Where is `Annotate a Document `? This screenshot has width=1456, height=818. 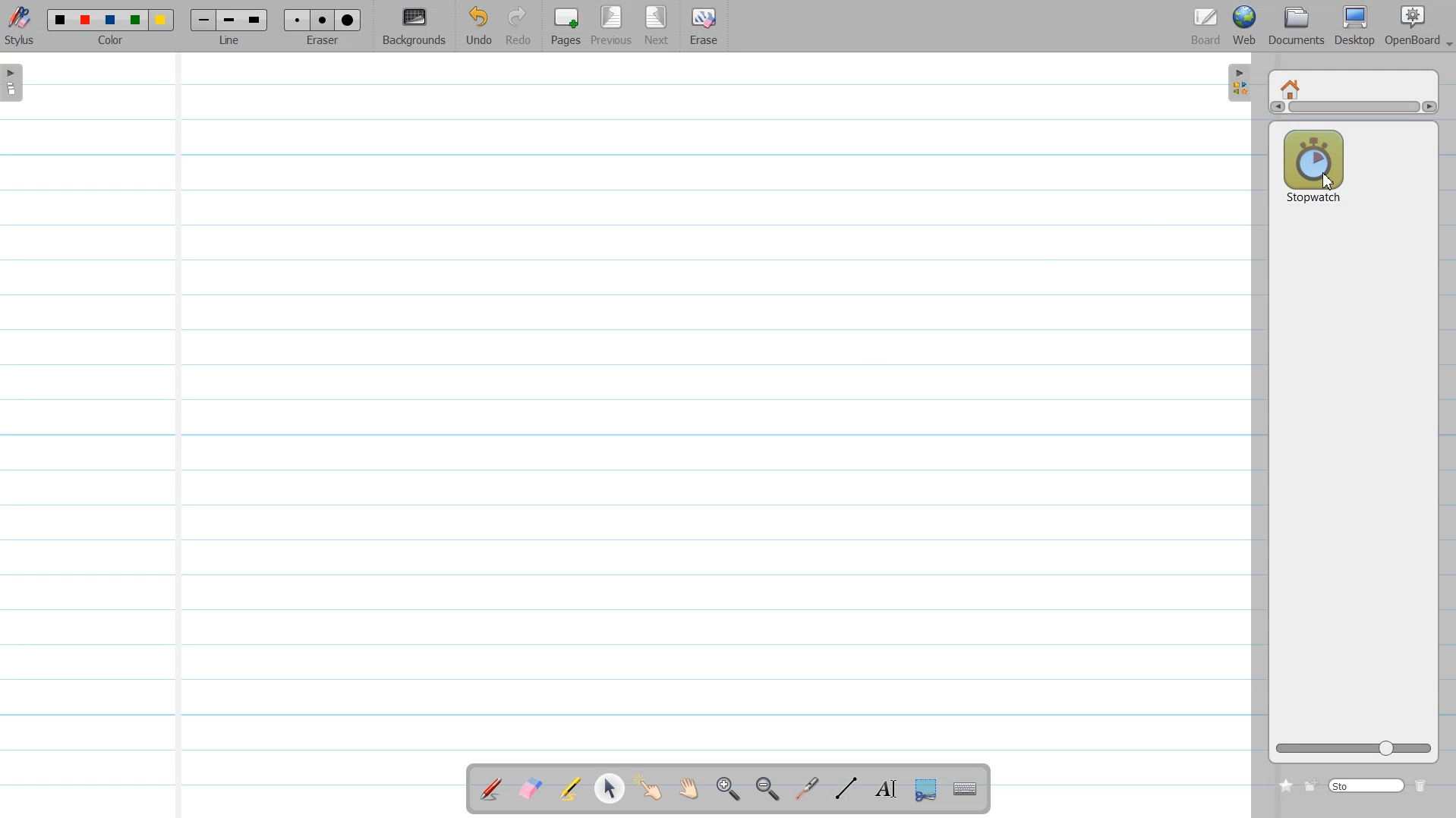
Annotate a Document  is located at coordinates (491, 788).